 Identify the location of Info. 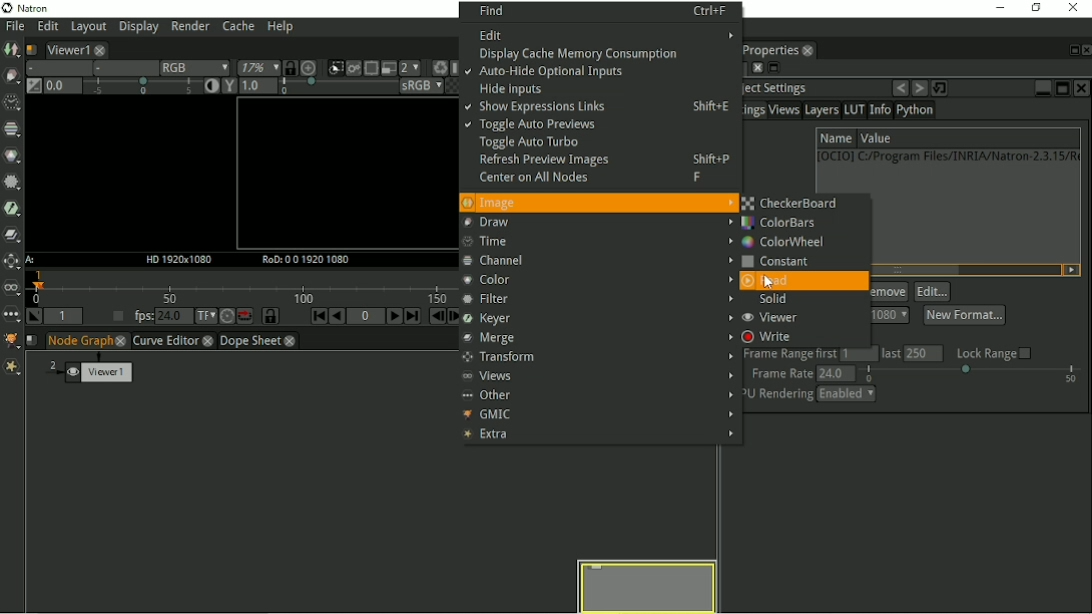
(879, 111).